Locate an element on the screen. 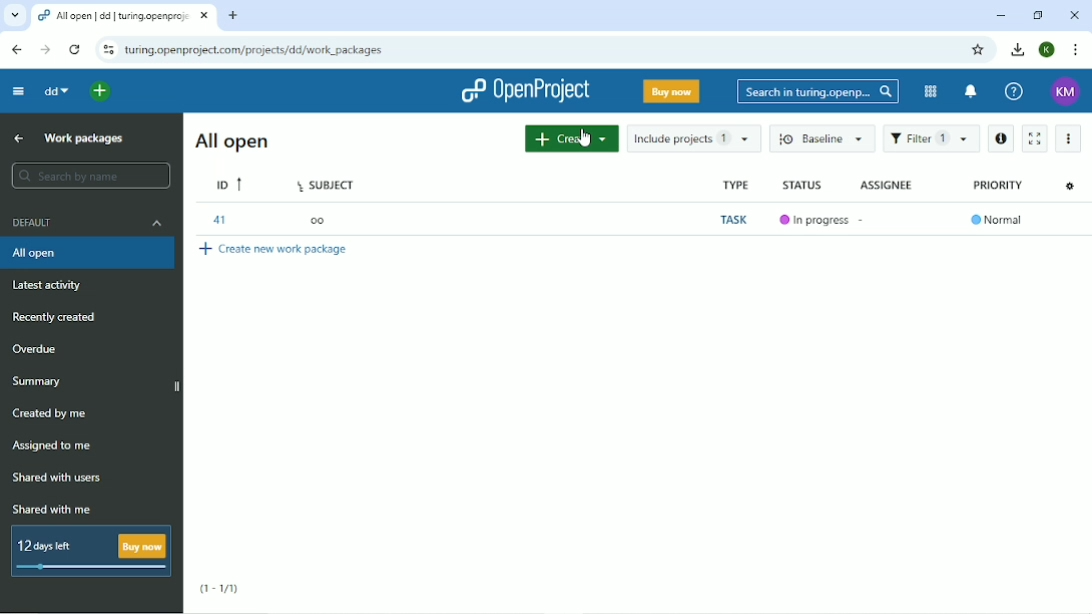  Type is located at coordinates (737, 185).